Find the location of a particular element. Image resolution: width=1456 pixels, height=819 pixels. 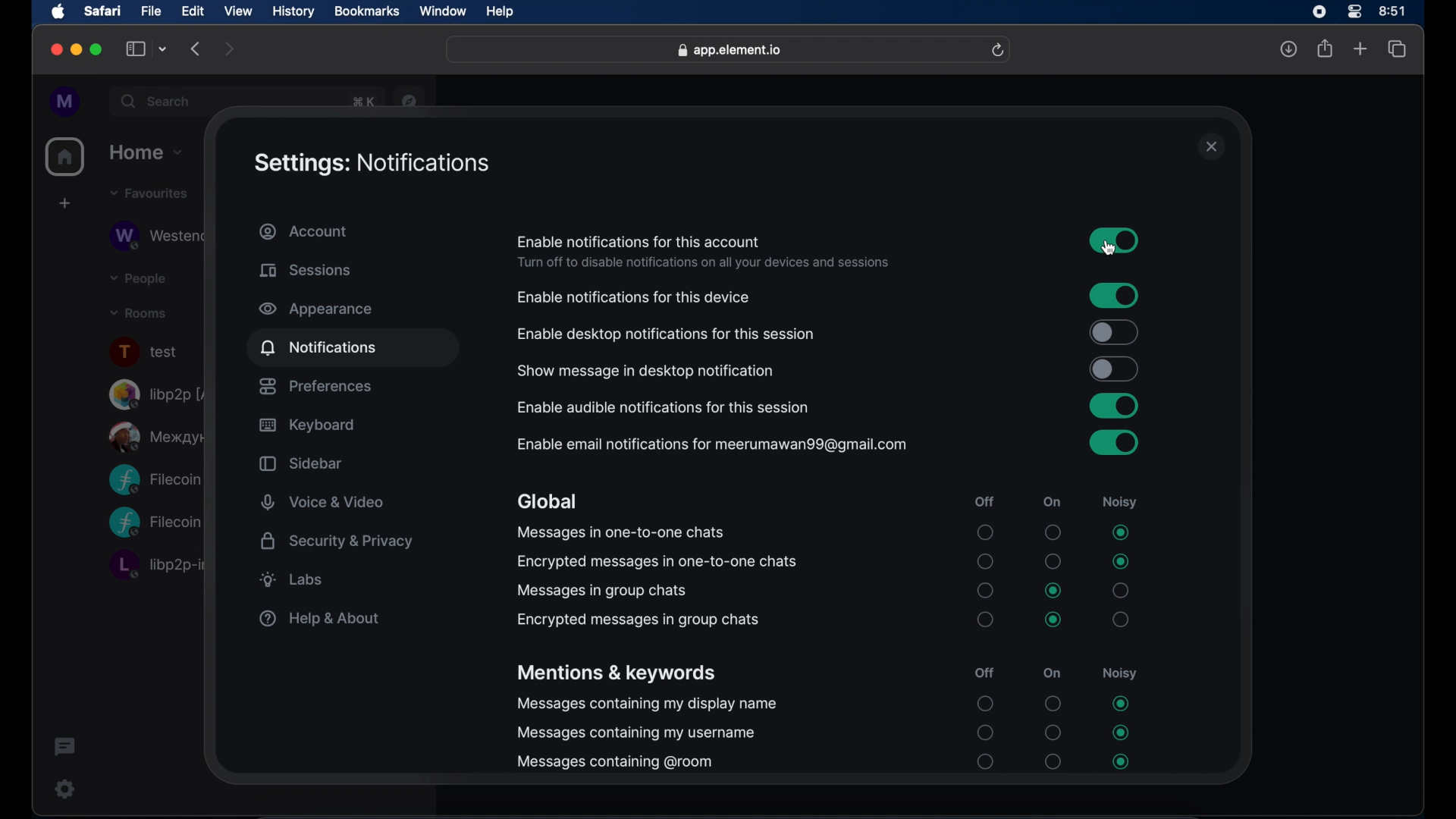

home drop down is located at coordinates (146, 152).